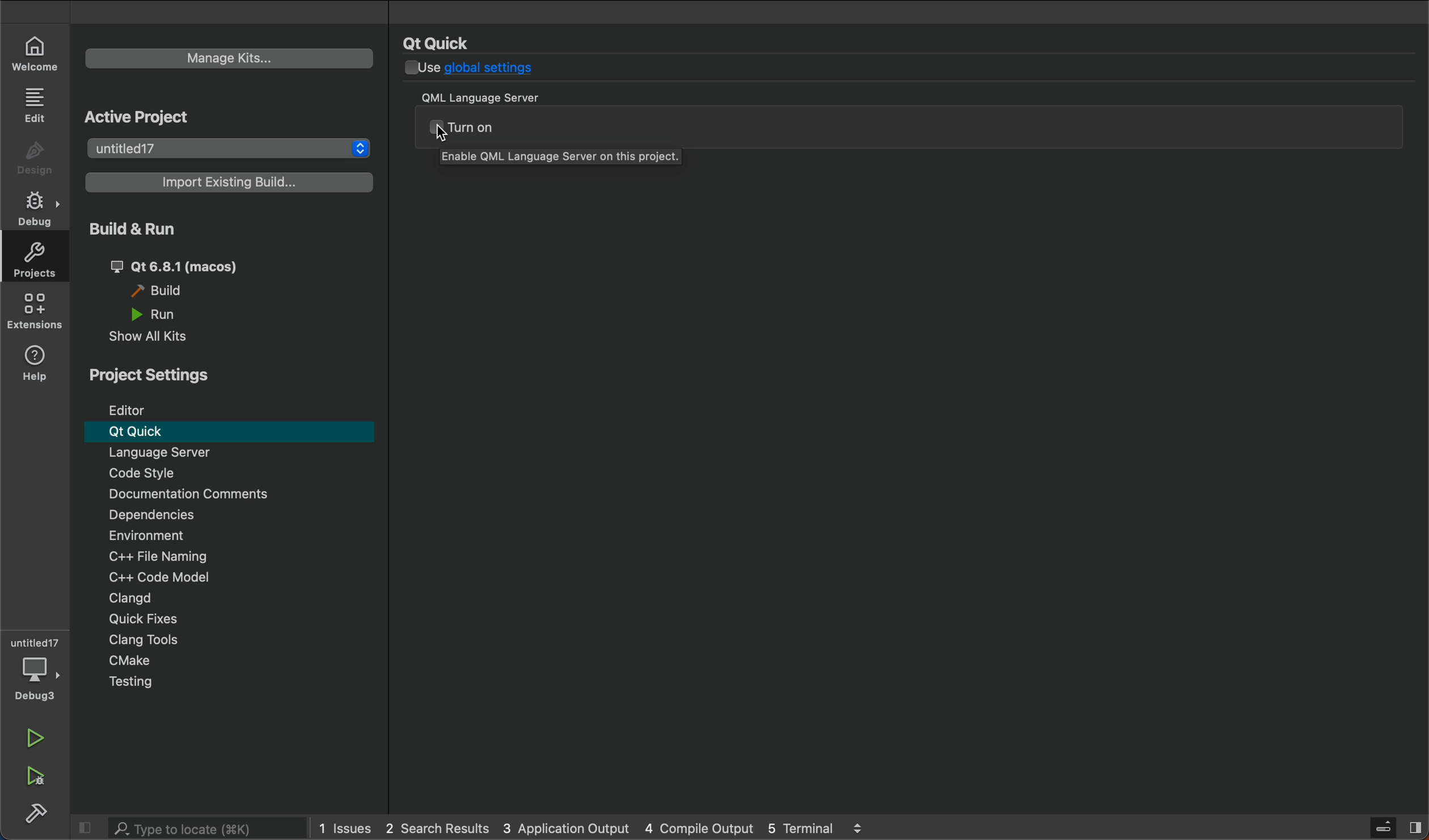  Describe the element at coordinates (192, 828) in the screenshot. I see `search` at that location.